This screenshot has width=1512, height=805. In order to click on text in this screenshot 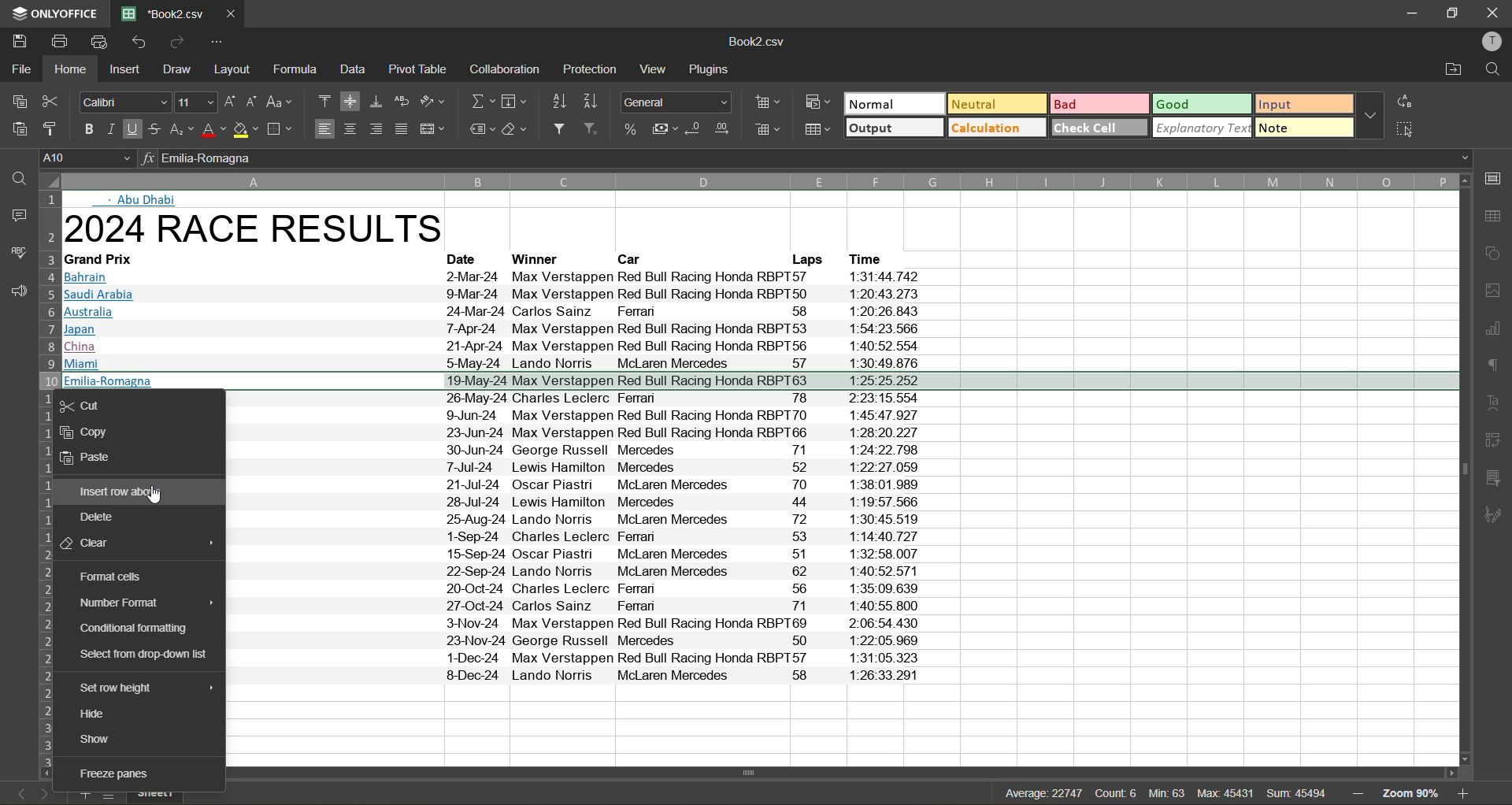, I will do `click(1497, 402)`.